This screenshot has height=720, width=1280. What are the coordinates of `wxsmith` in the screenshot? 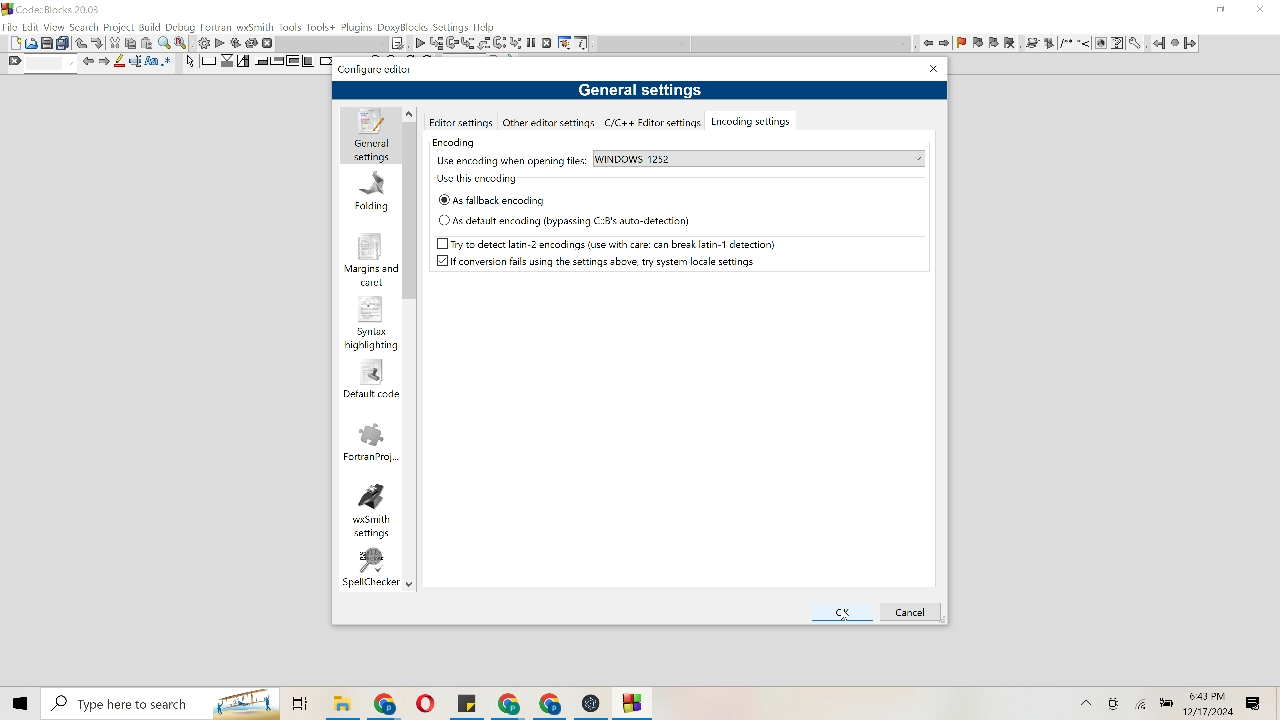 It's located at (255, 28).